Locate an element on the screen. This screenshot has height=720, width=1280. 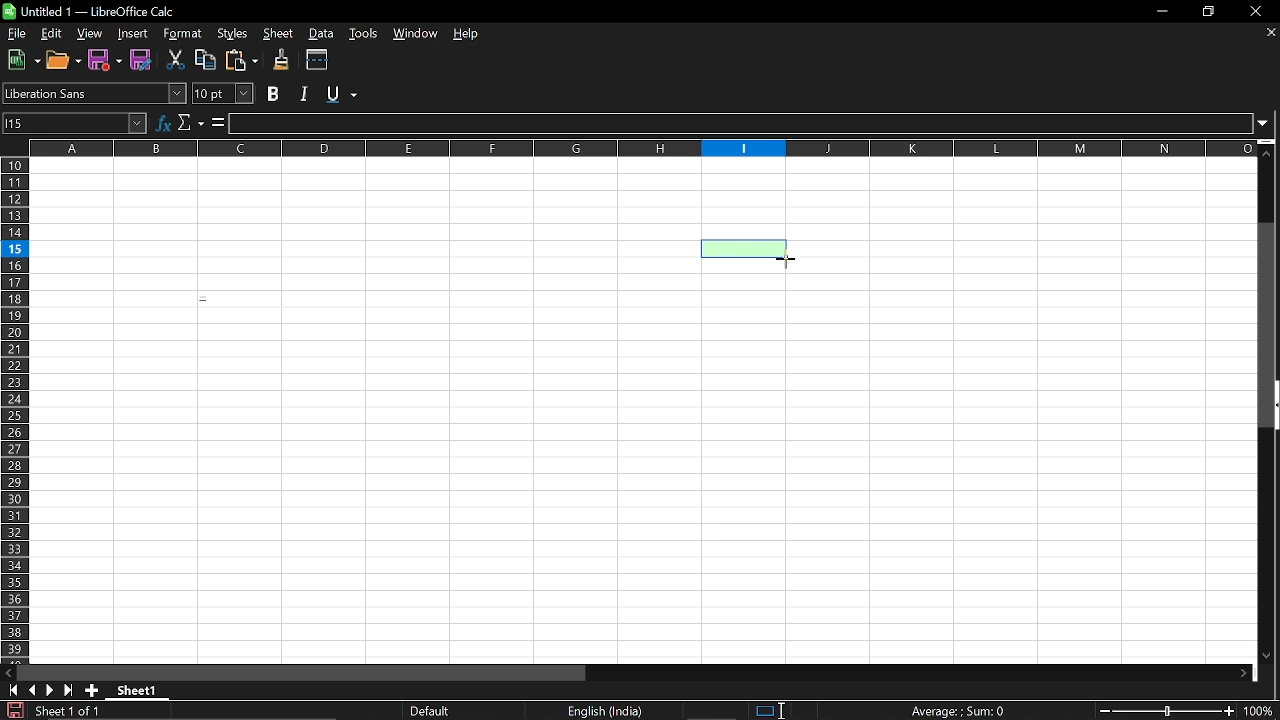
Formula is located at coordinates (958, 710).